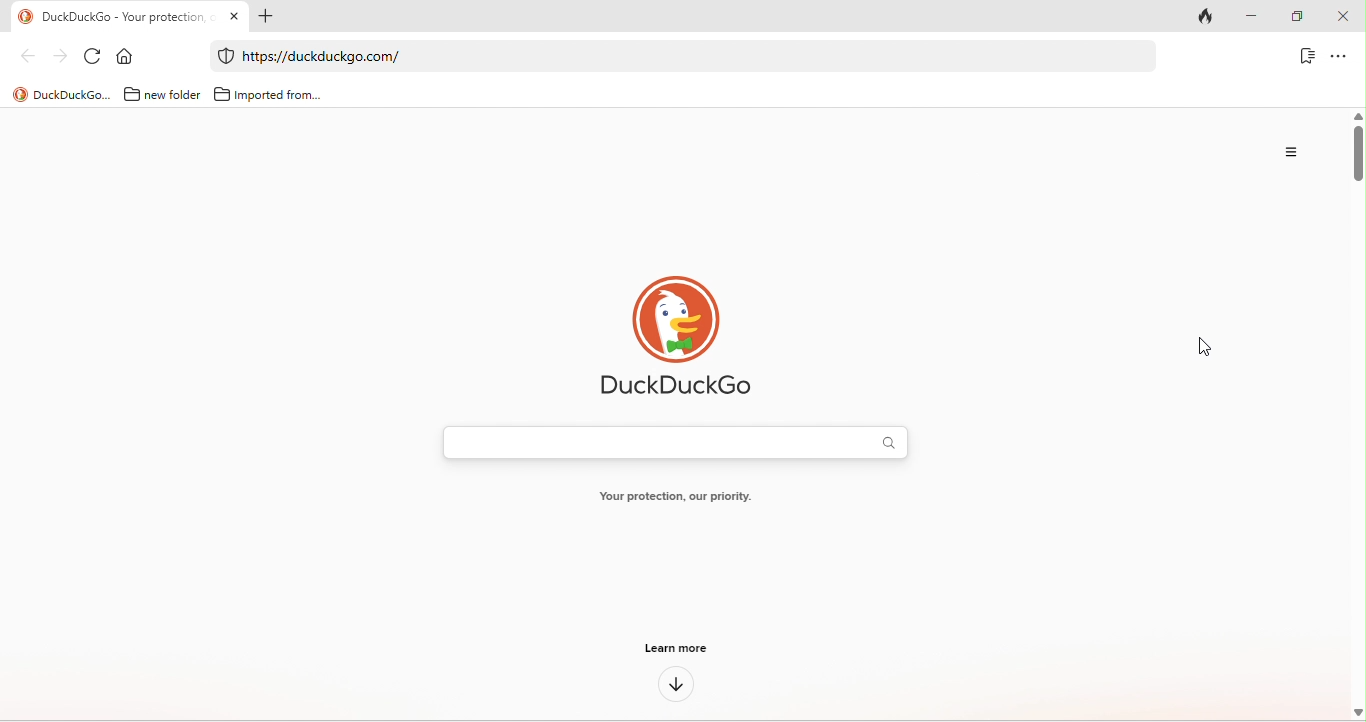  I want to click on imported from, so click(267, 91).